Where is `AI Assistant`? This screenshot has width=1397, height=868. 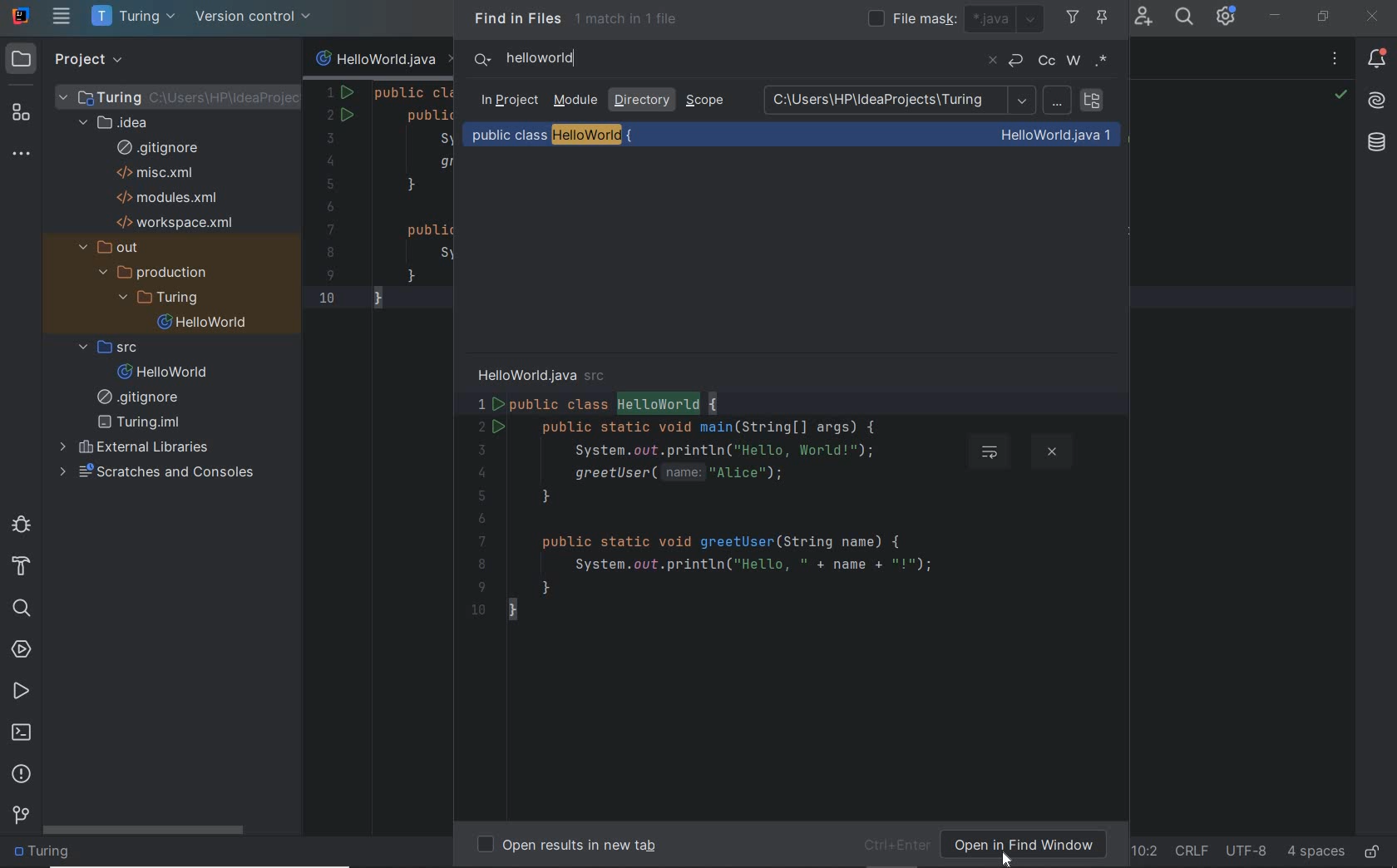
AI Assistant is located at coordinates (1375, 101).